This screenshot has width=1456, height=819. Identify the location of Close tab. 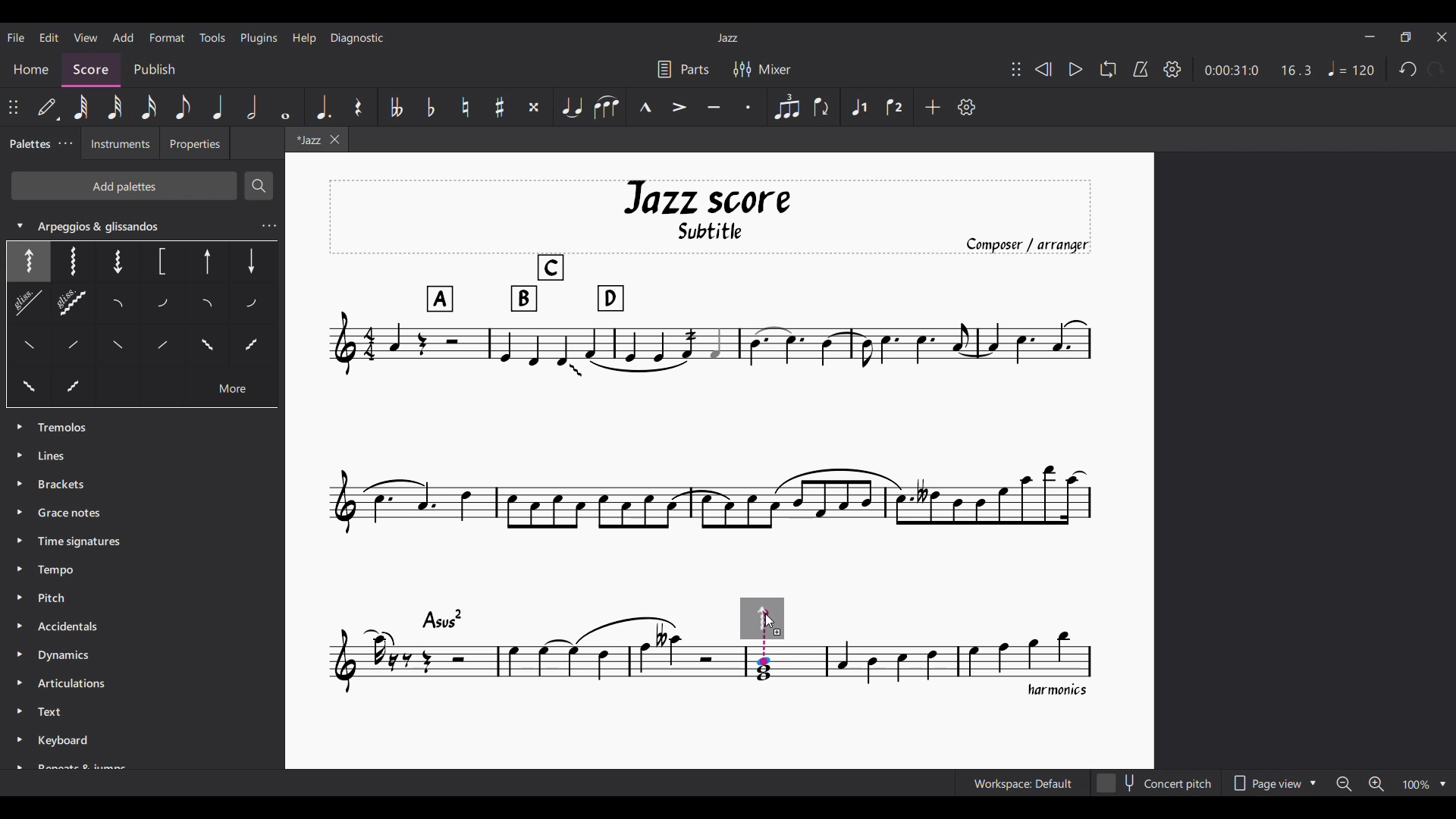
(334, 140).